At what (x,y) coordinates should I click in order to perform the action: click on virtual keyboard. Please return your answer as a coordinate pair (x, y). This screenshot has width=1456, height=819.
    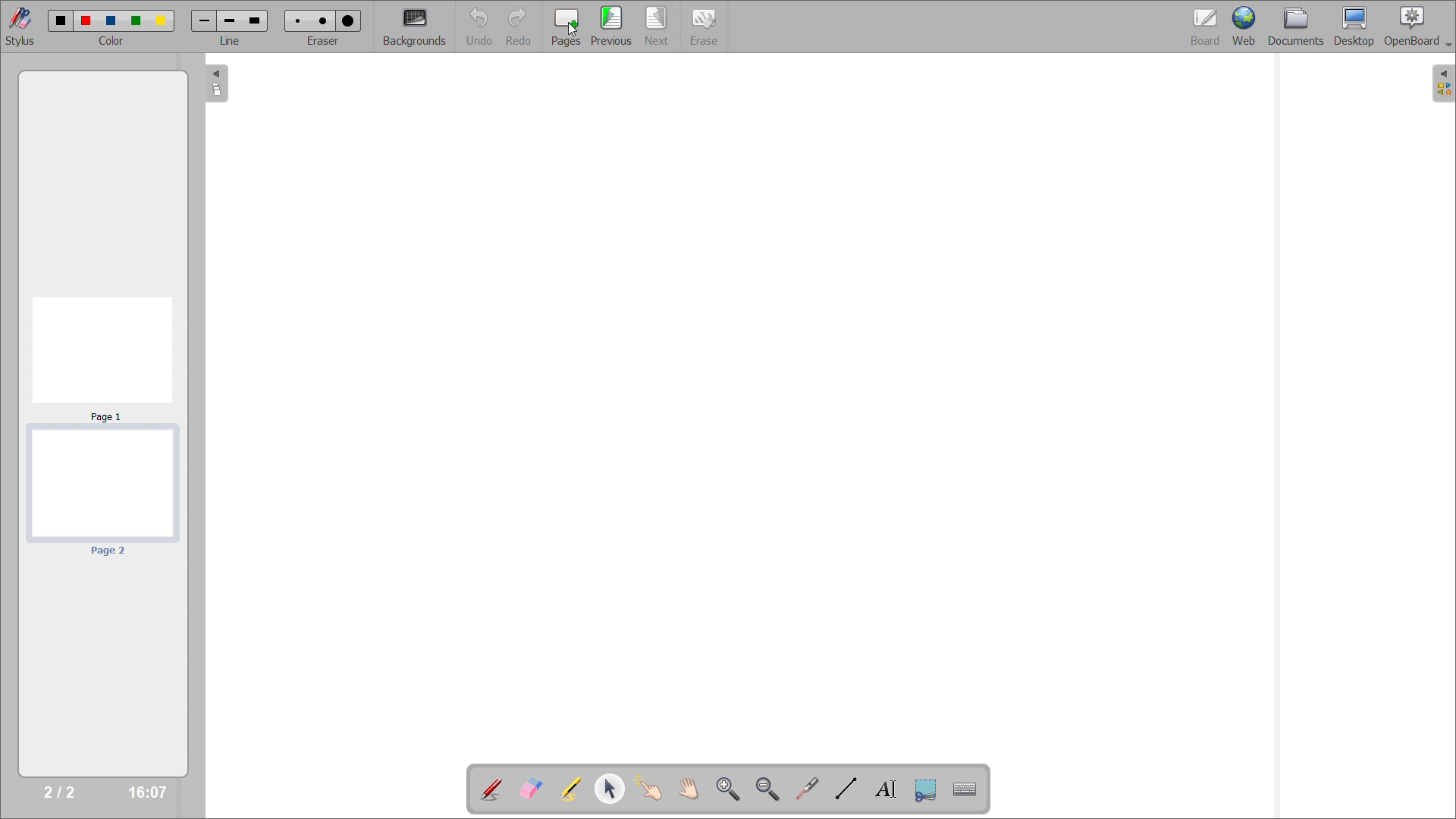
    Looking at the image, I should click on (966, 788).